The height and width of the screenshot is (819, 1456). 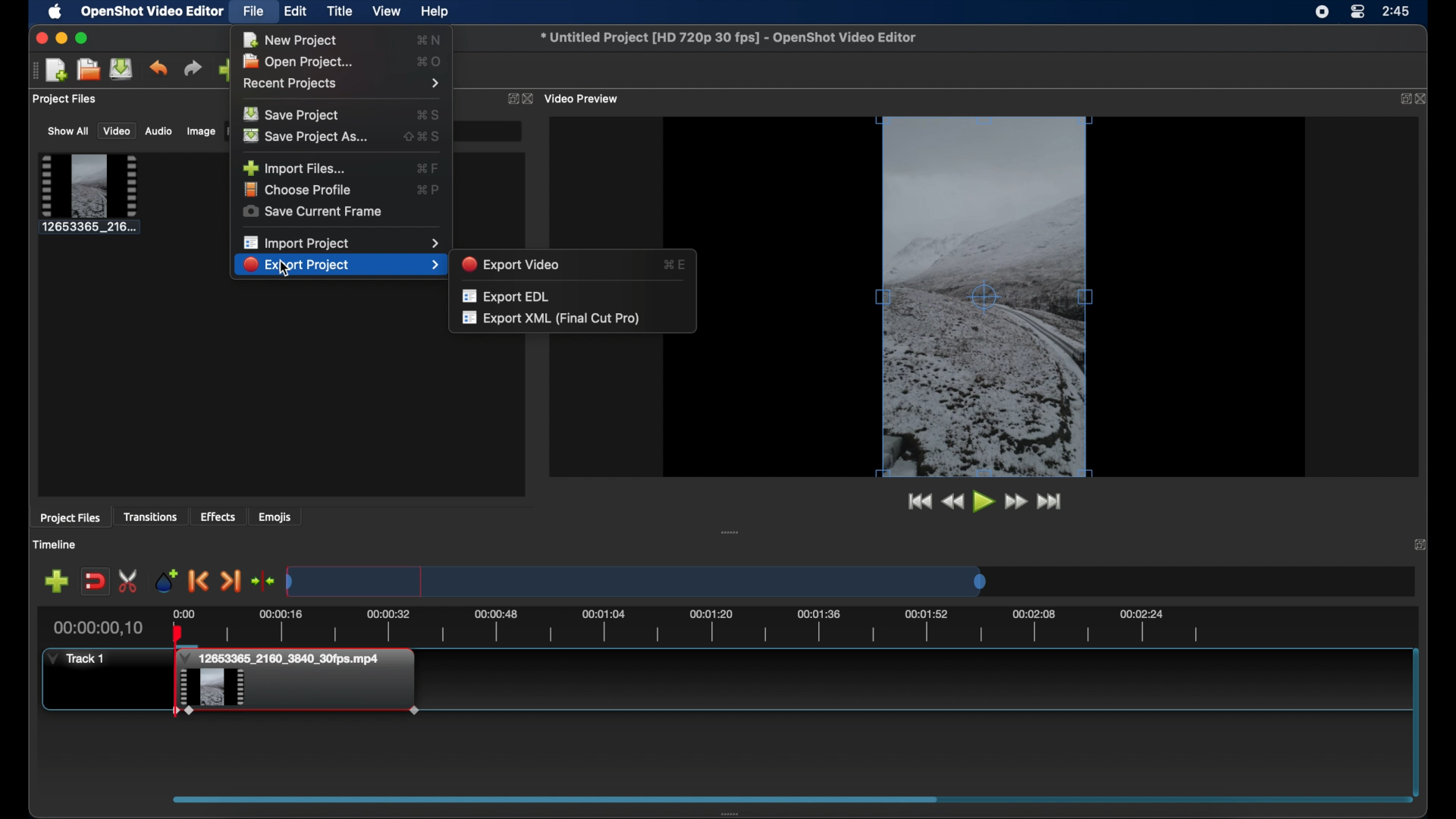 What do you see at coordinates (263, 581) in the screenshot?
I see `` at bounding box center [263, 581].